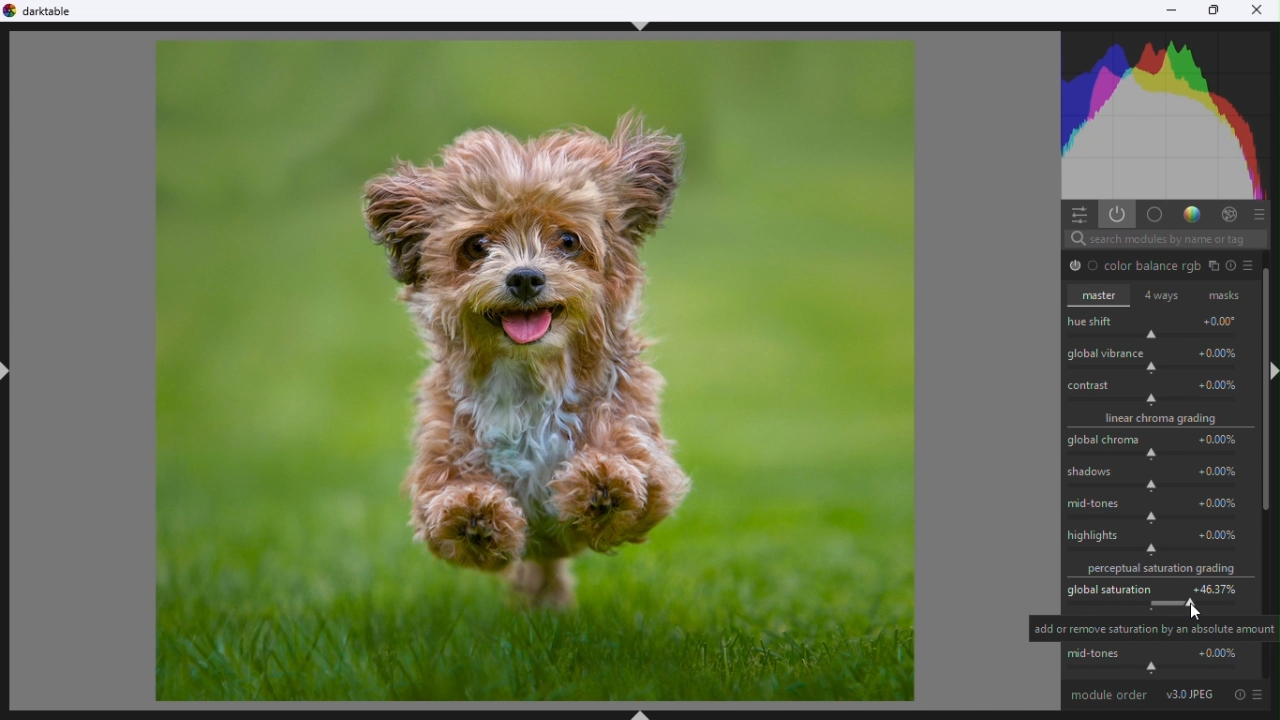 The height and width of the screenshot is (720, 1280). I want to click on hue shift, so click(1157, 327).